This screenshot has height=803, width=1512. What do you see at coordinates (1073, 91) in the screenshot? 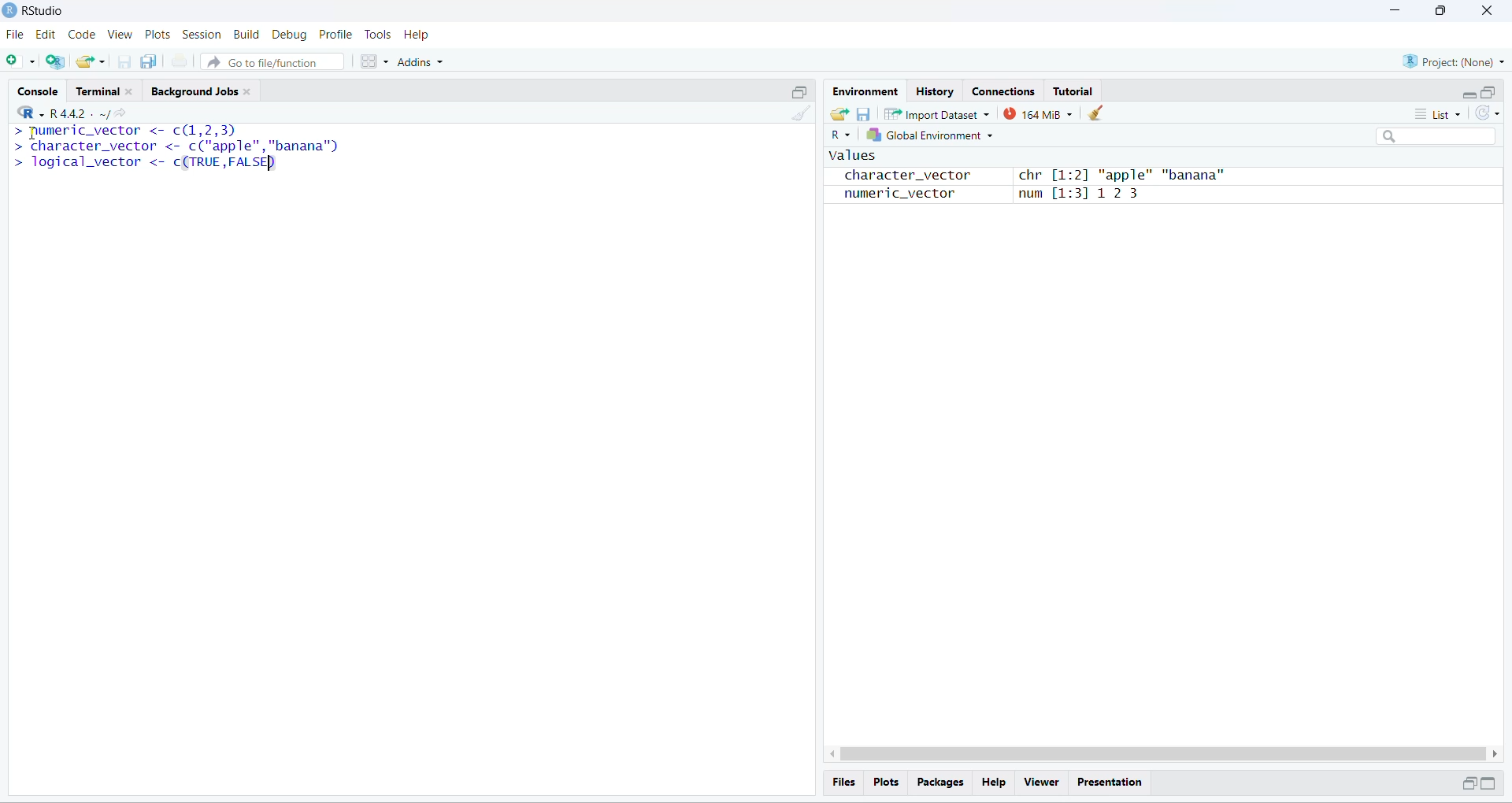
I see `Tutorial` at bounding box center [1073, 91].